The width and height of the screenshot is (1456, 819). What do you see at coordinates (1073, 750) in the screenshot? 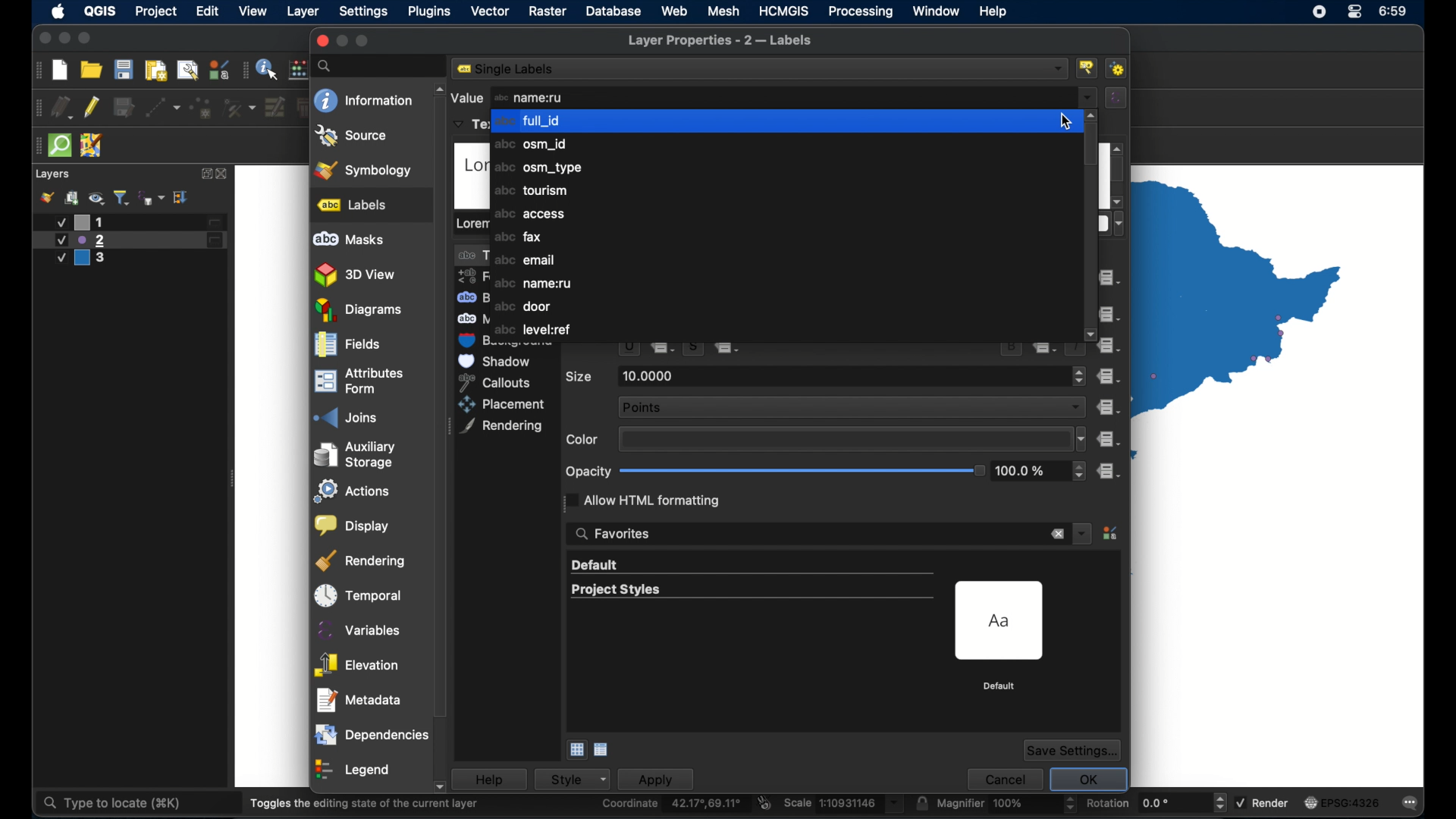
I see `save settings` at bounding box center [1073, 750].